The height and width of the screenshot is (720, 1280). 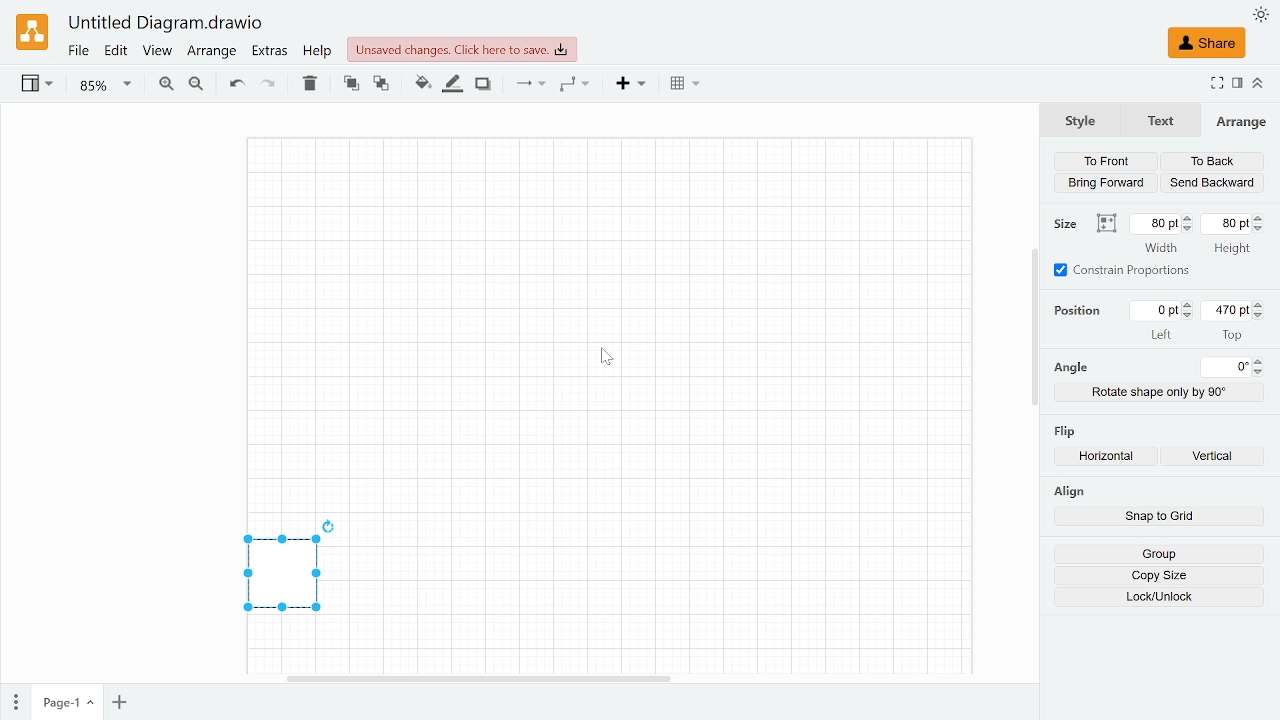 I want to click on Horizontal scrollbar, so click(x=479, y=677).